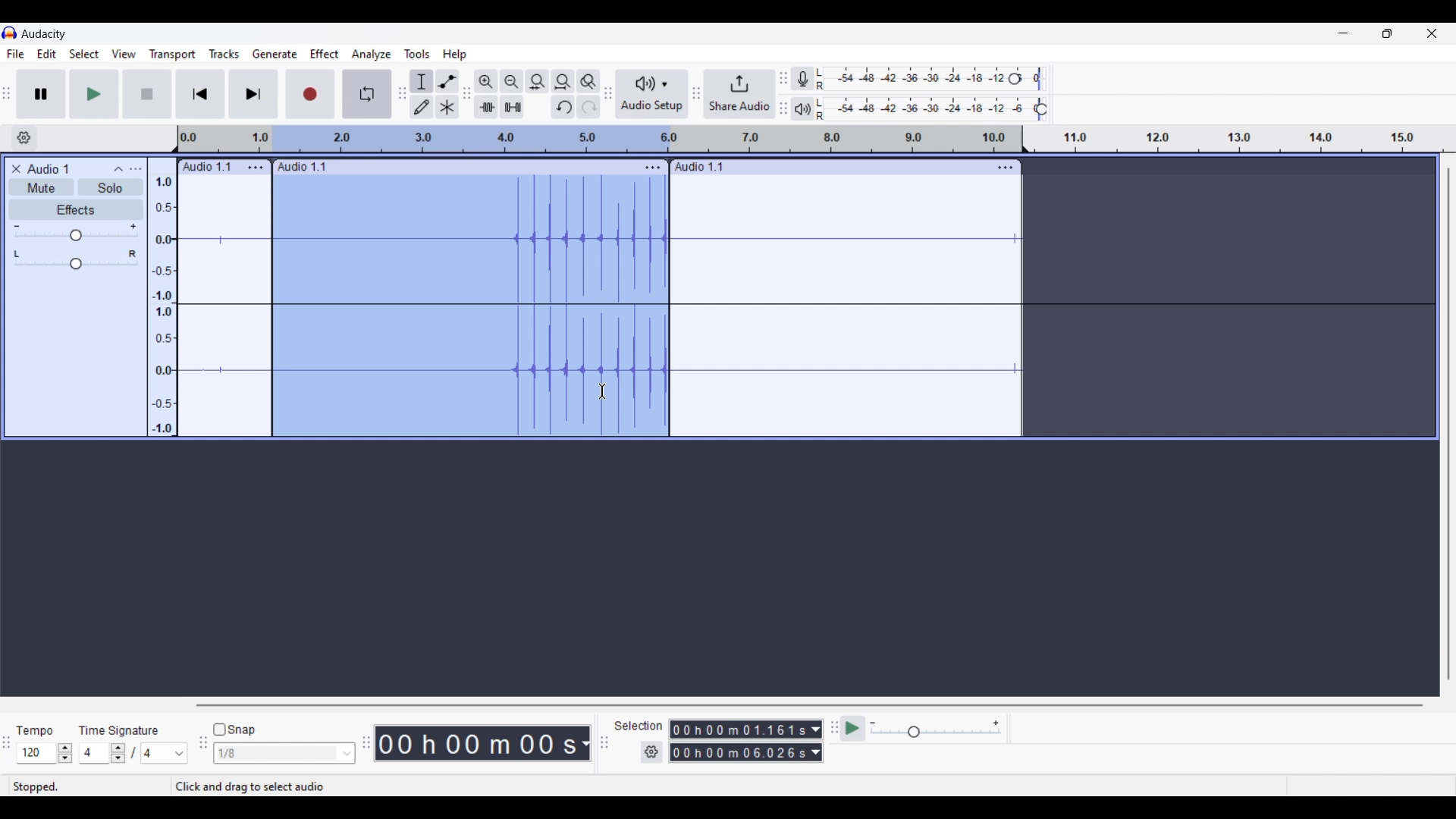 This screenshot has height=819, width=1456. What do you see at coordinates (421, 106) in the screenshot?
I see `Draw tool` at bounding box center [421, 106].